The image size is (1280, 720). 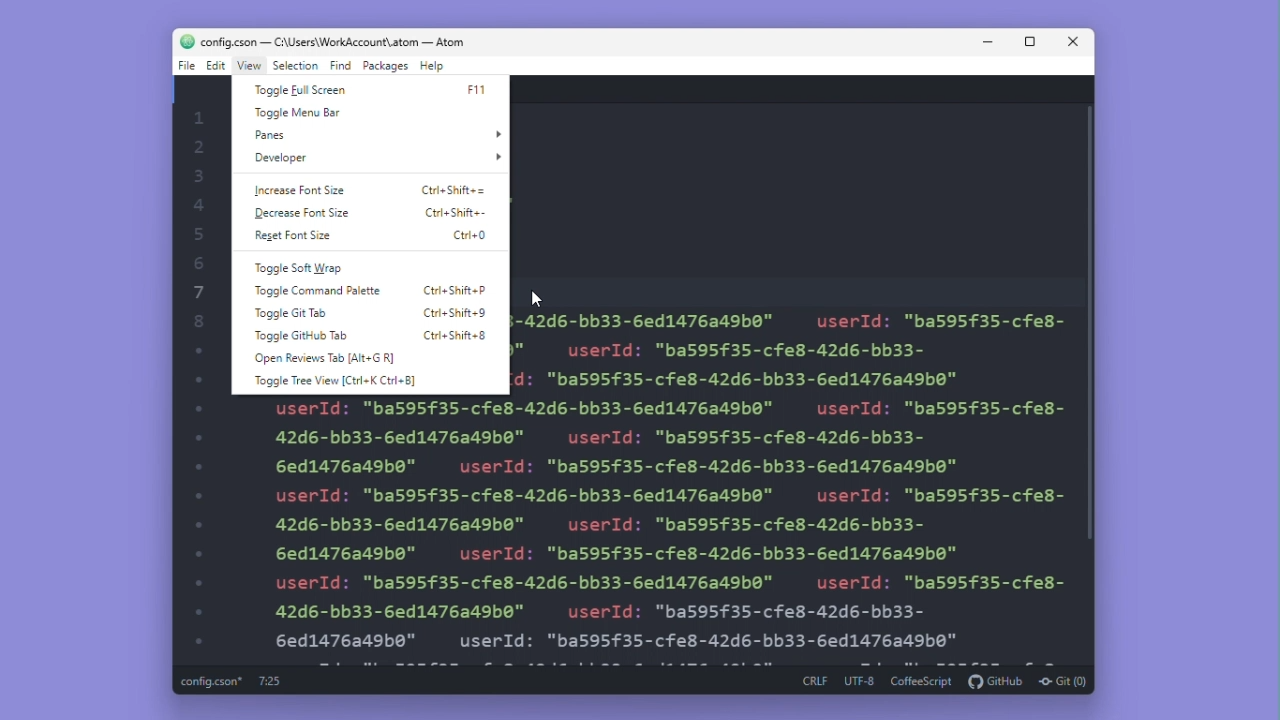 What do you see at coordinates (457, 290) in the screenshot?
I see `ctrl+shift+p` at bounding box center [457, 290].